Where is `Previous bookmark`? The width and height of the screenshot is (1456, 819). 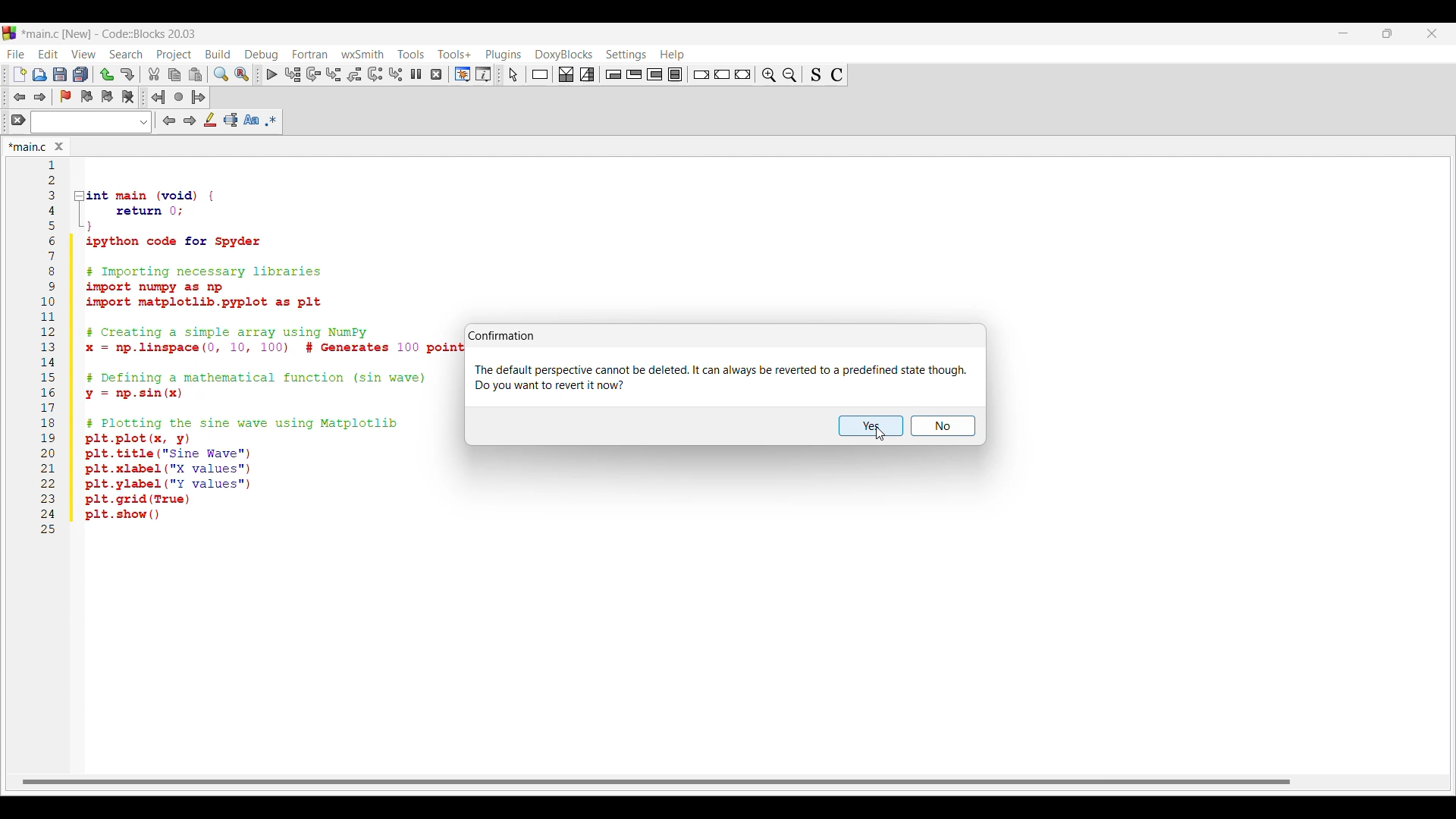
Previous bookmark is located at coordinates (86, 97).